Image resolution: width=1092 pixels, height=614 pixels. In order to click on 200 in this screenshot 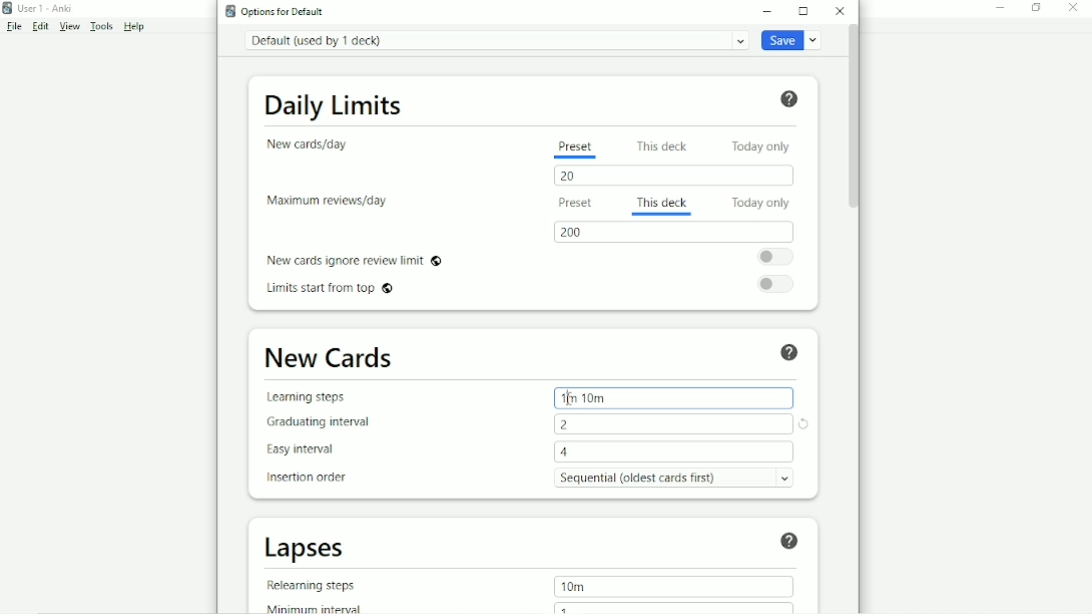, I will do `click(575, 232)`.